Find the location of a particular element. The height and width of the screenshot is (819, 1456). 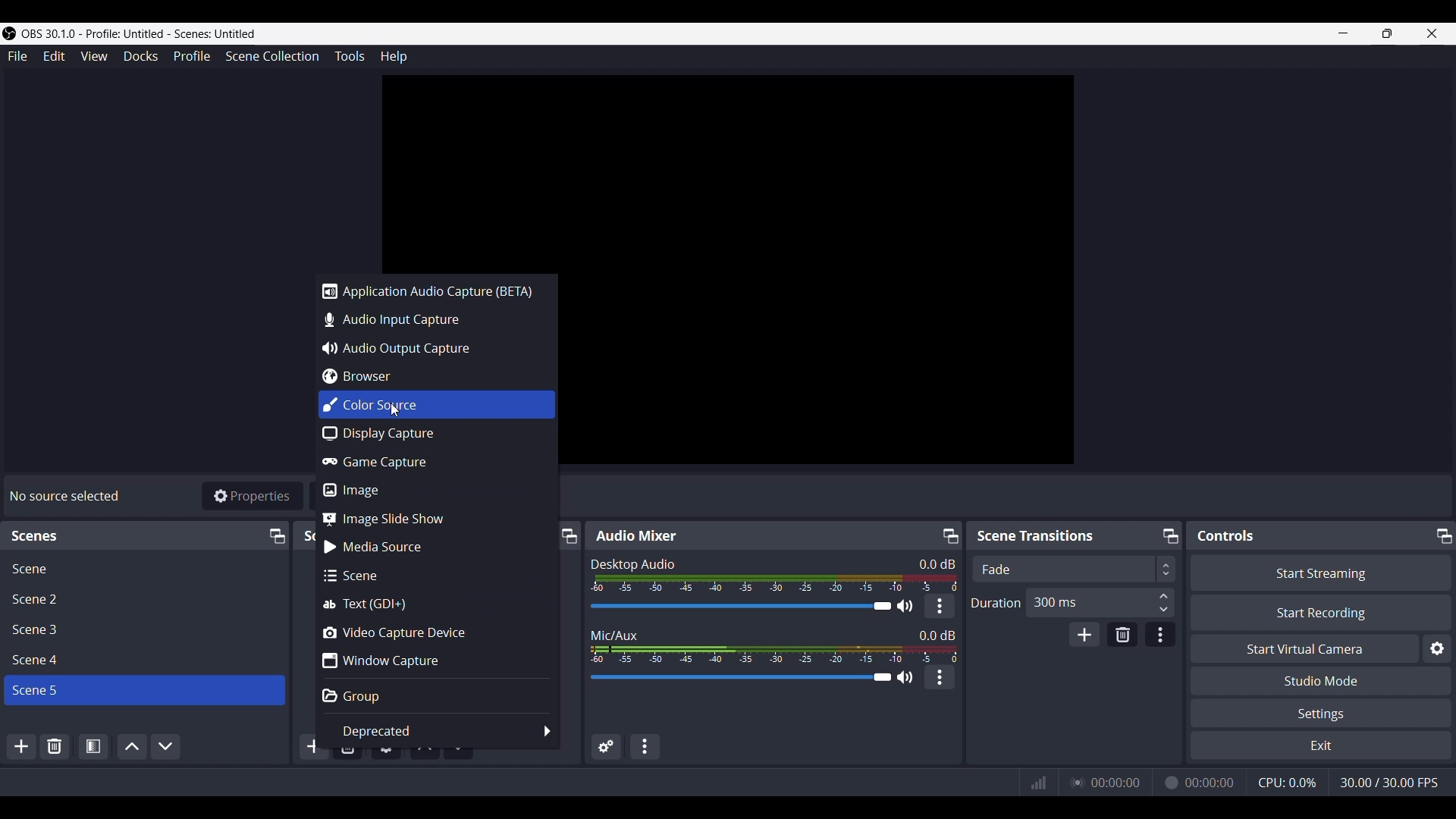

Application audio capture (BETA) is located at coordinates (431, 291).